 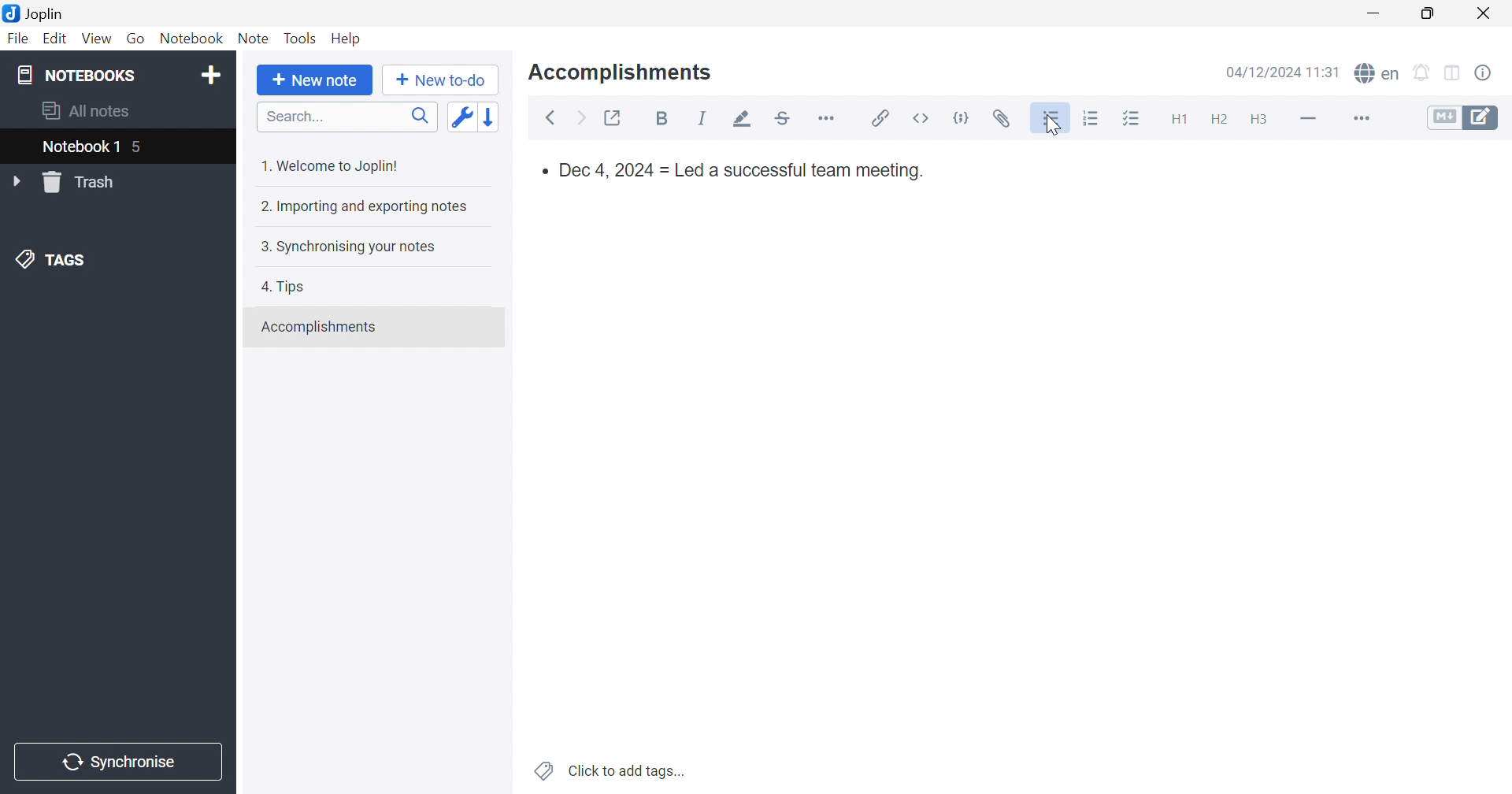 I want to click on Notebook 1, so click(x=80, y=147).